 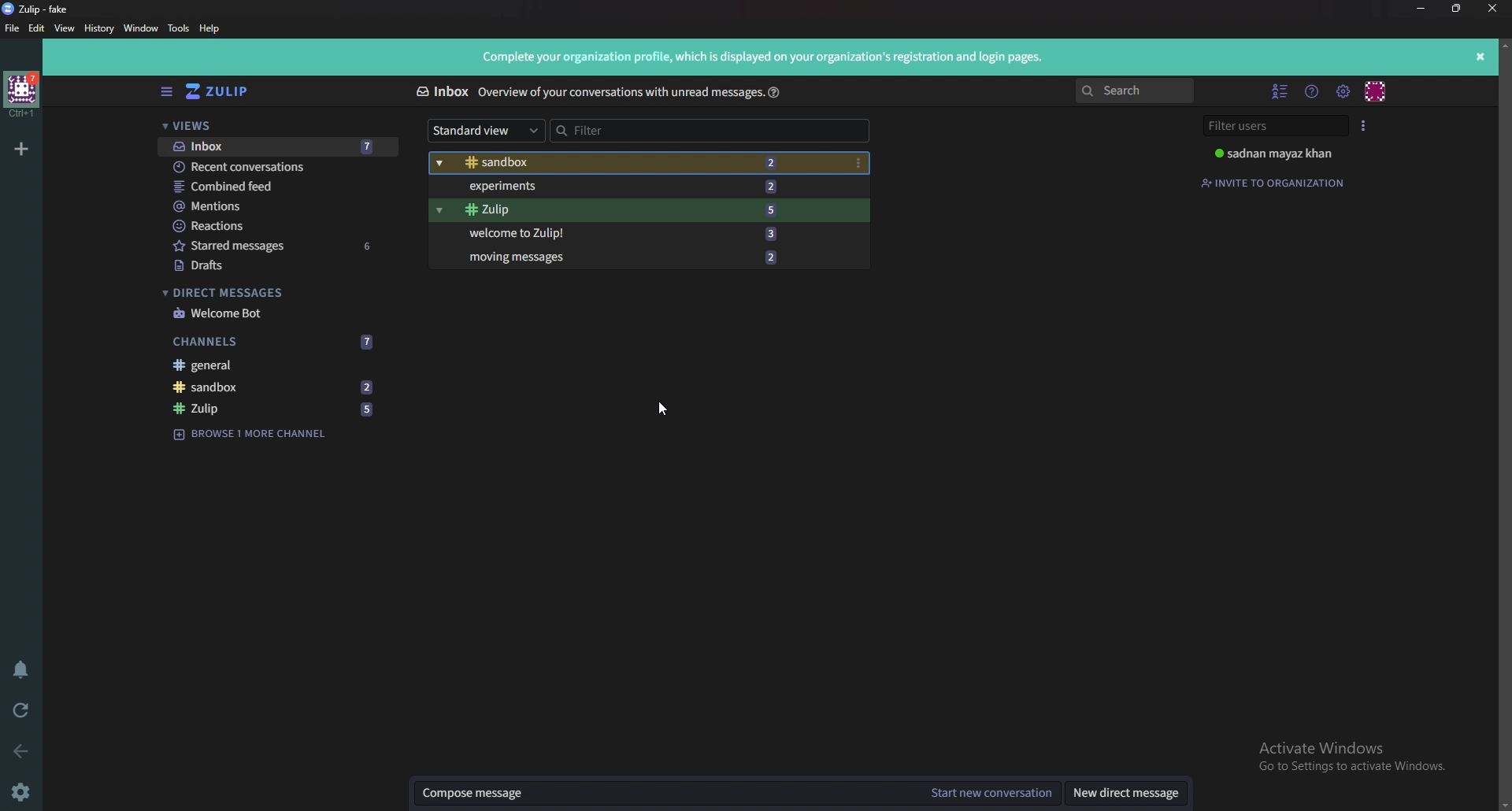 I want to click on Standard view, so click(x=487, y=131).